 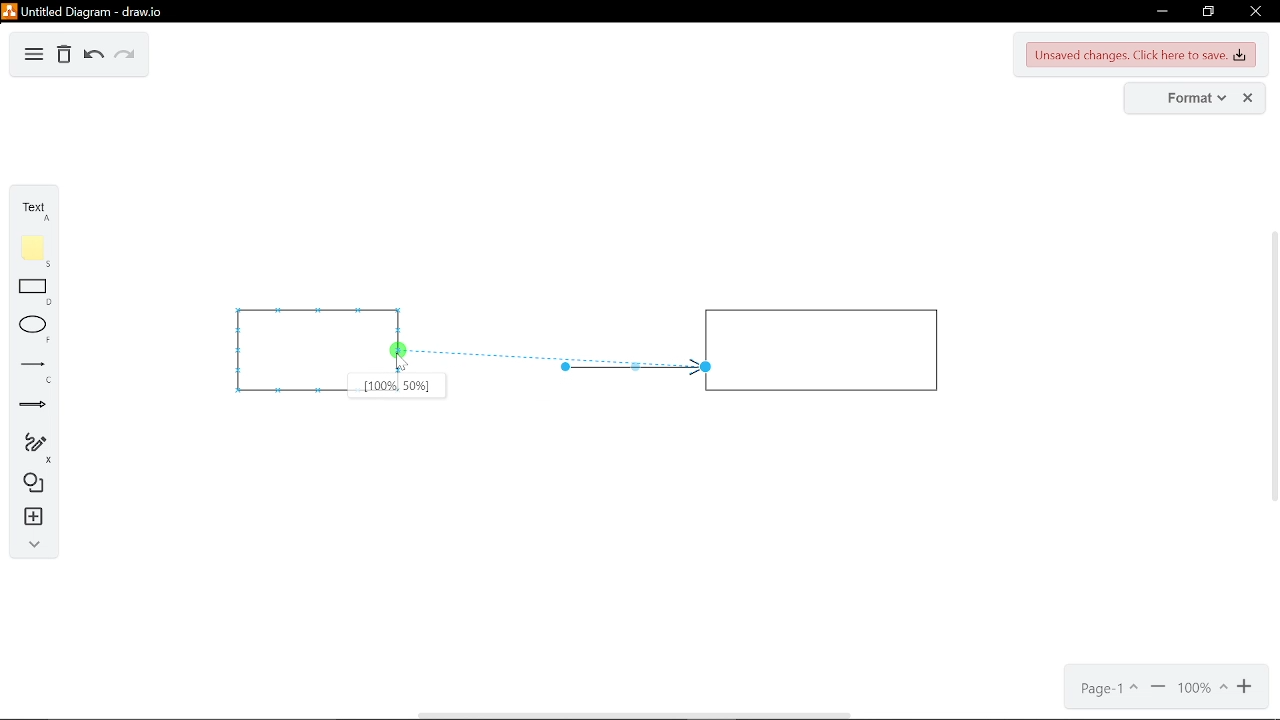 What do you see at coordinates (34, 55) in the screenshot?
I see `diagram` at bounding box center [34, 55].